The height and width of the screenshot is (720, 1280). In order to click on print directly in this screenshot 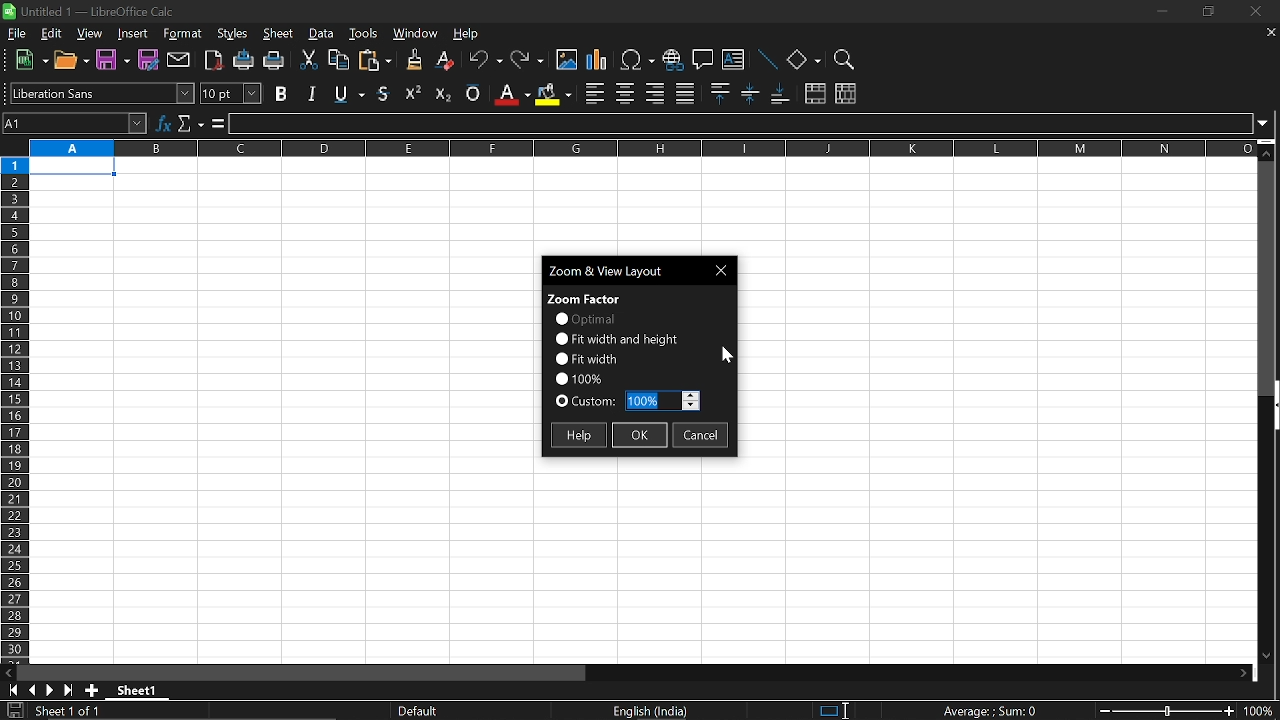, I will do `click(244, 62)`.